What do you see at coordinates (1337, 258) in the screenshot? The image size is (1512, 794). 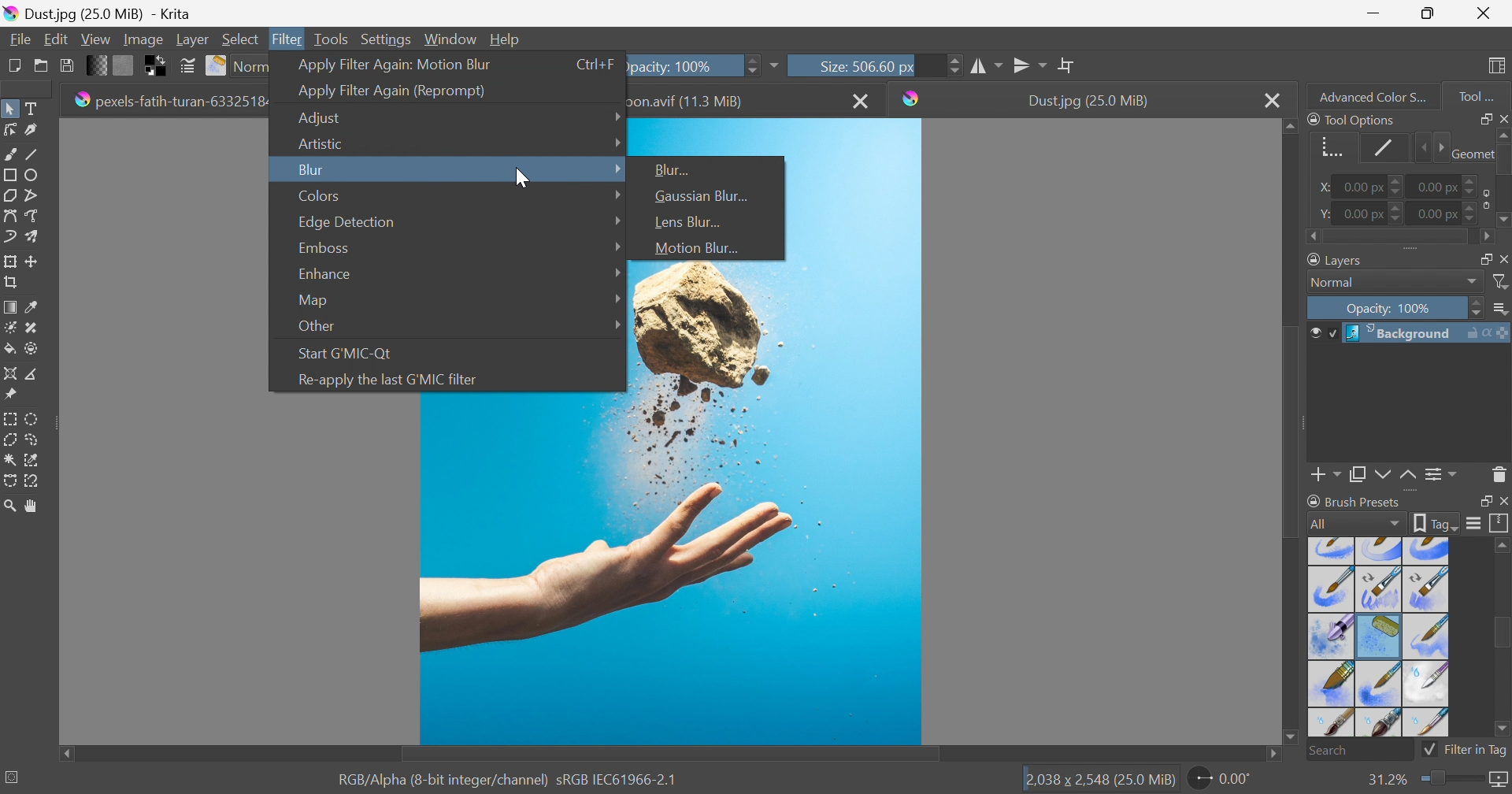 I see `Layers` at bounding box center [1337, 258].